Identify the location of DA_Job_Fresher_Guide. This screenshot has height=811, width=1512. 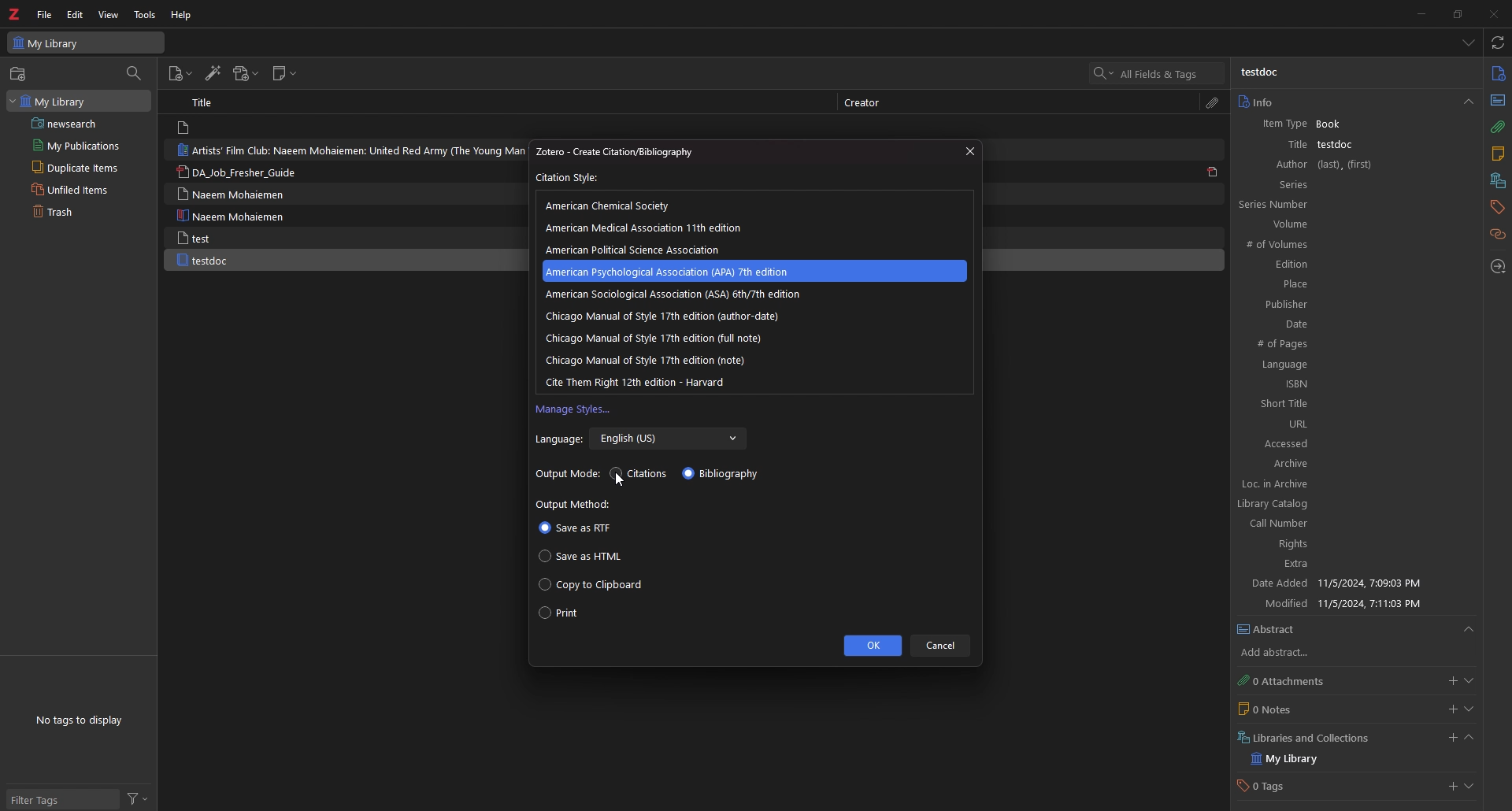
(244, 173).